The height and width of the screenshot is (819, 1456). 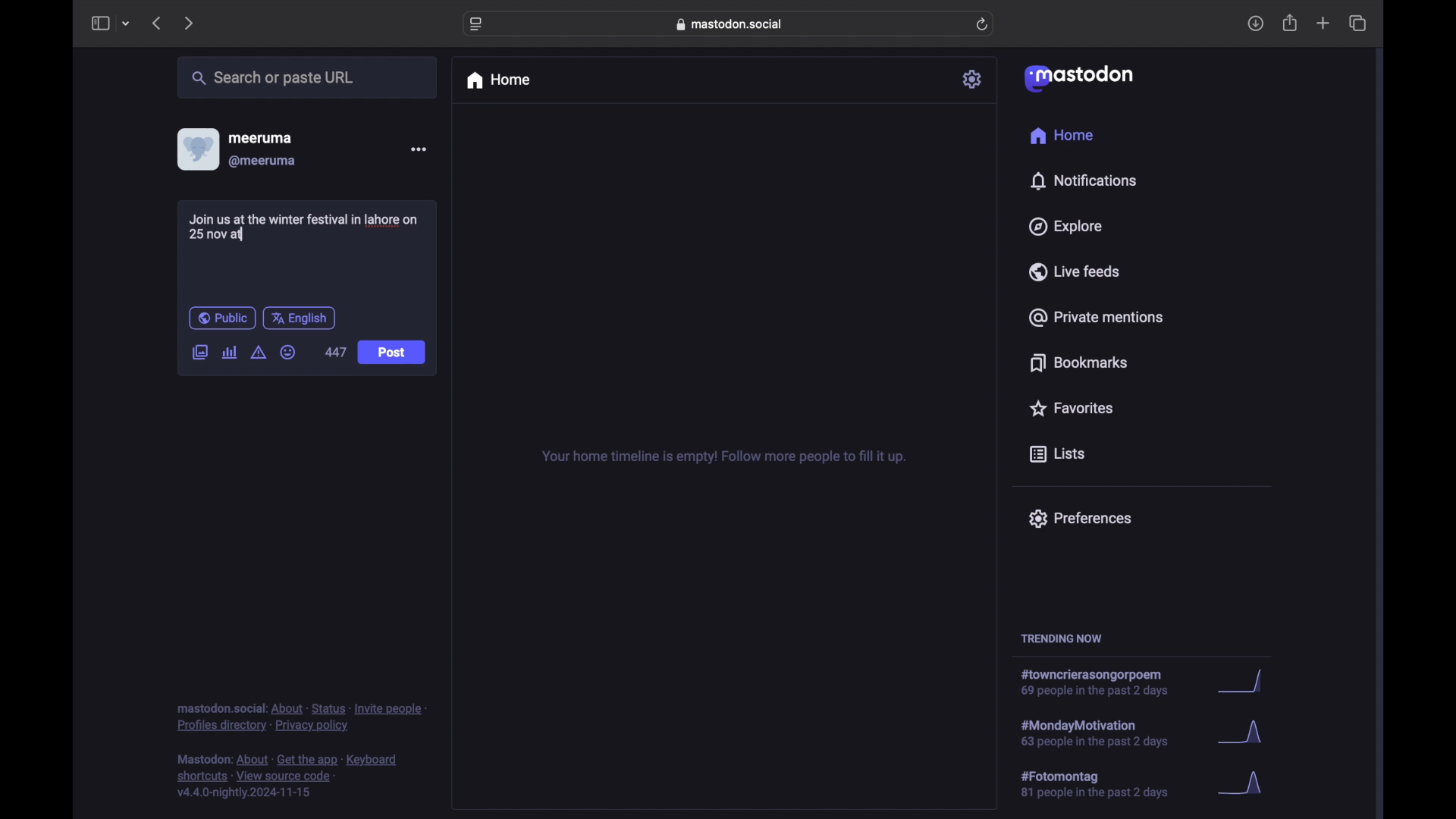 What do you see at coordinates (478, 24) in the screenshot?
I see `website settings` at bounding box center [478, 24].